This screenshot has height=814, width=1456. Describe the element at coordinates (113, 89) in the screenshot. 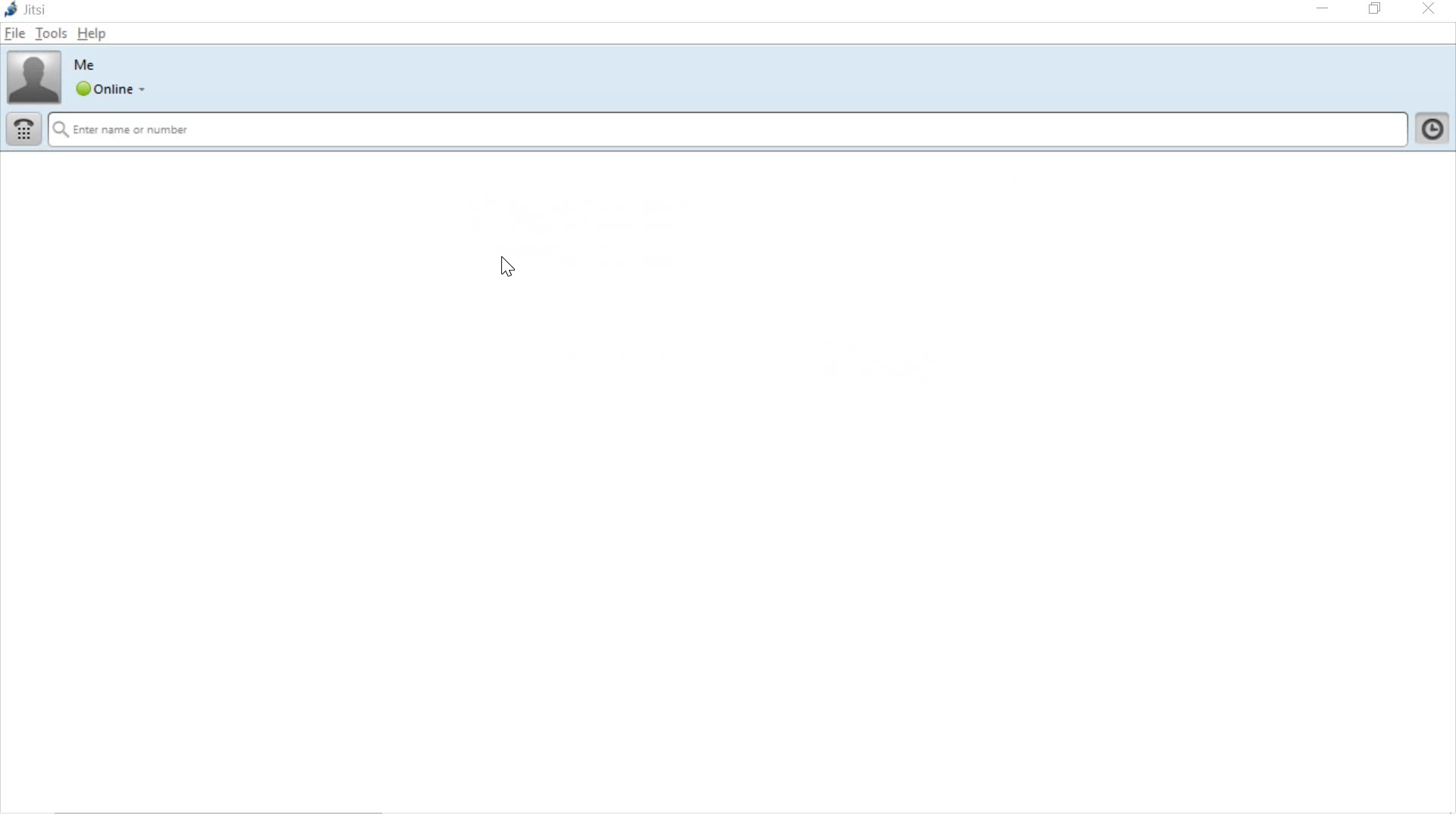

I see `global status` at that location.